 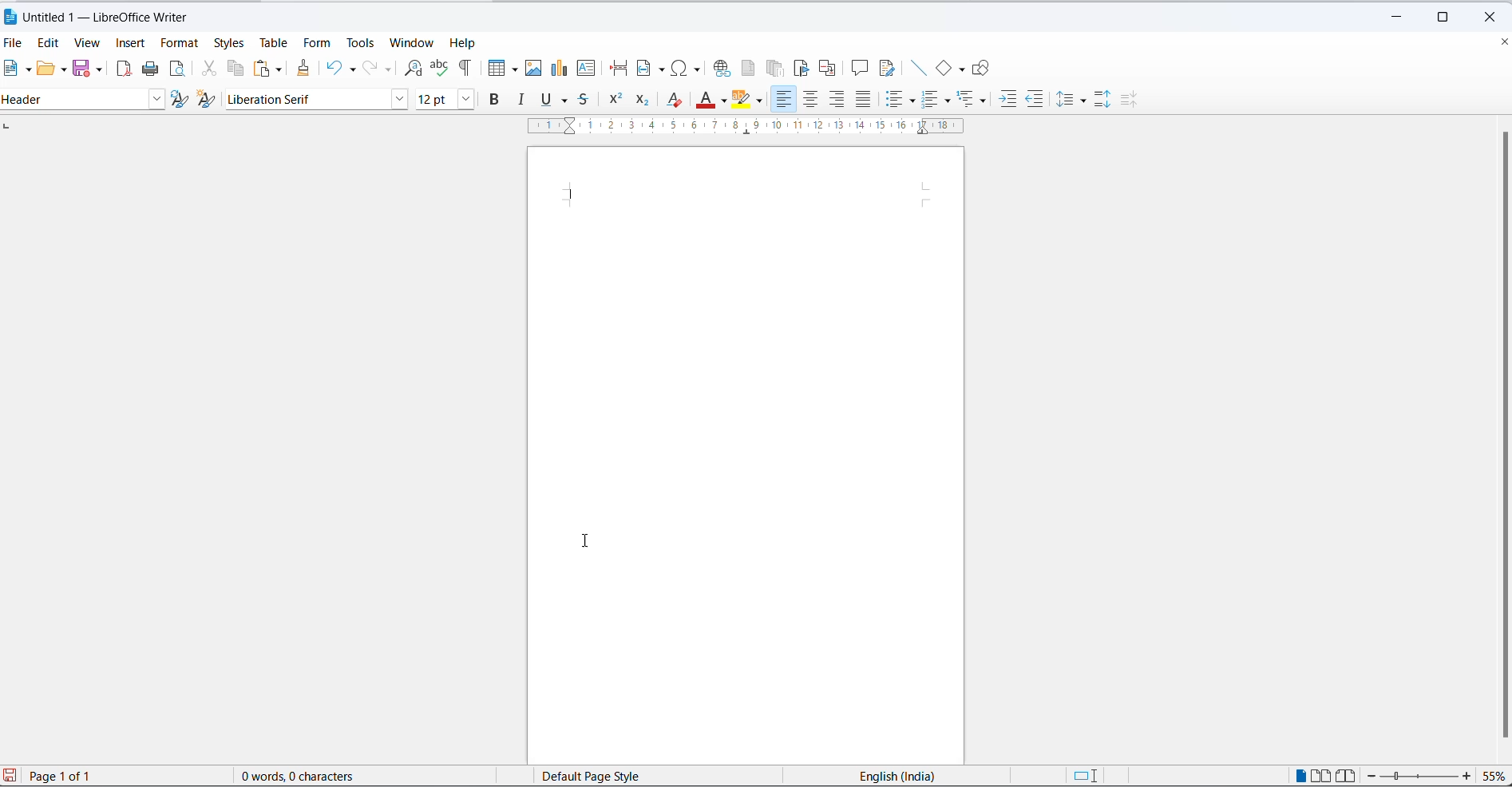 I want to click on show track changes functions, so click(x=888, y=69).